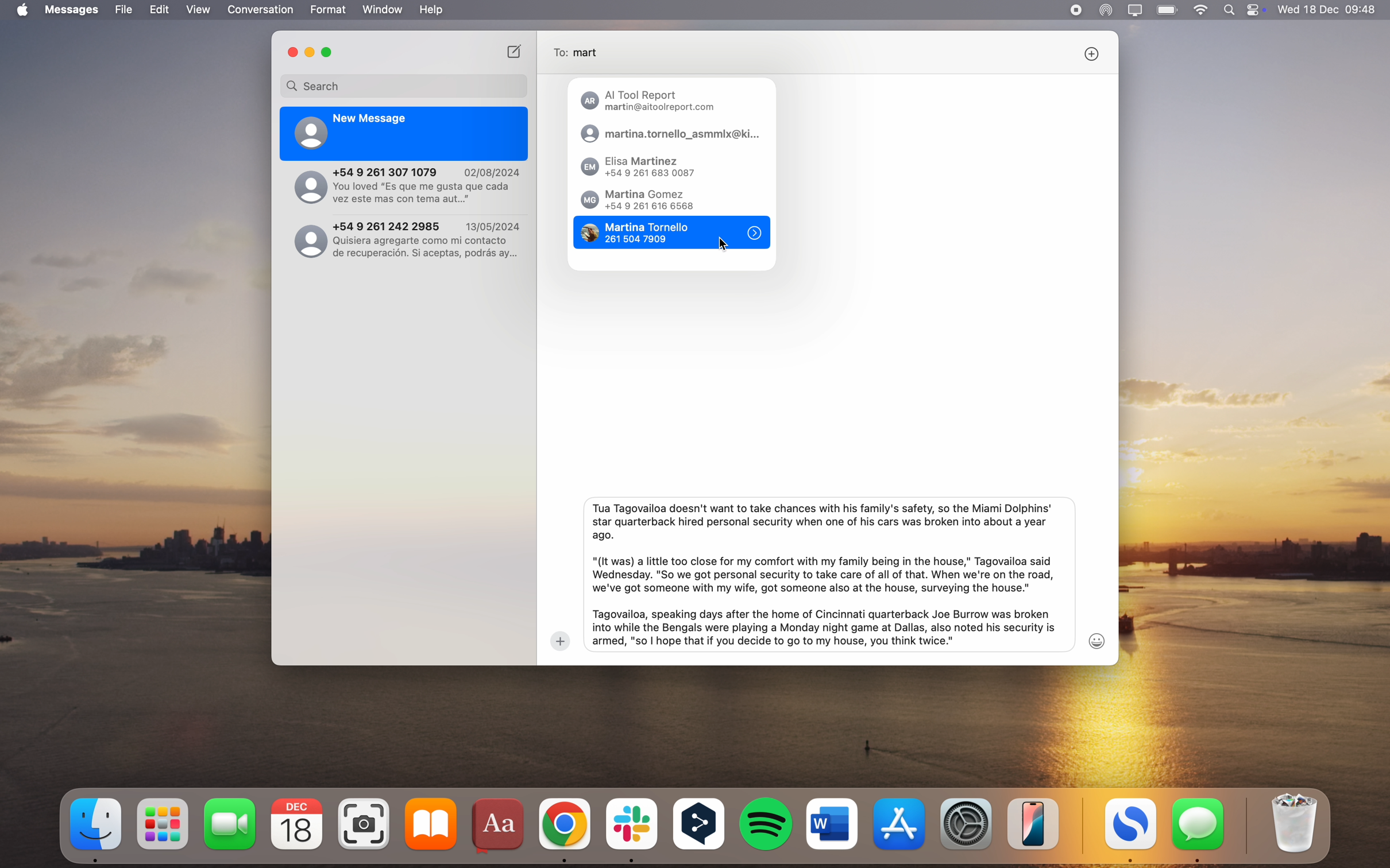 This screenshot has width=1390, height=868. Describe the element at coordinates (832, 823) in the screenshot. I see `Word` at that location.